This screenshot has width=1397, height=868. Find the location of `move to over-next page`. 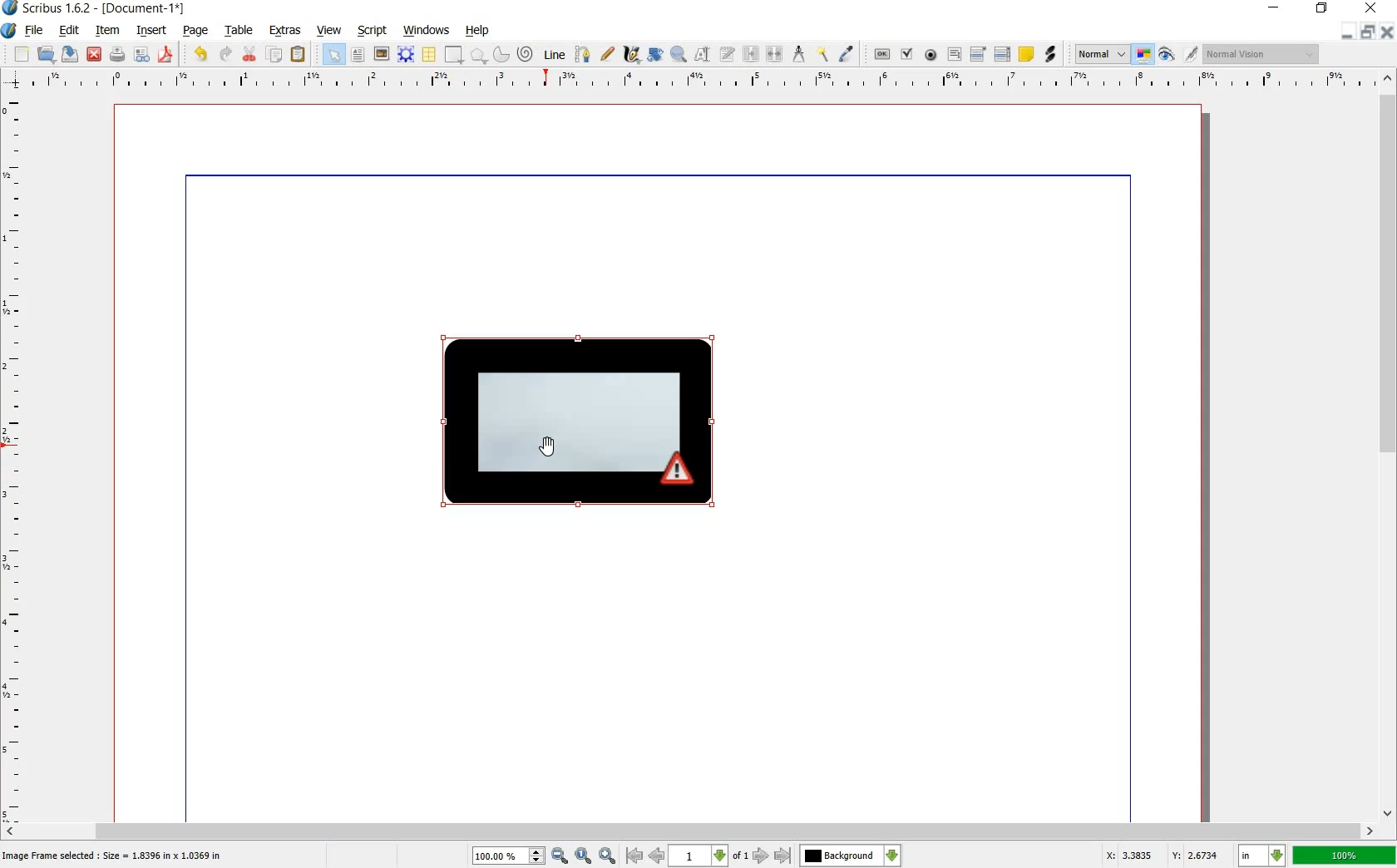

move to over-next page is located at coordinates (786, 857).